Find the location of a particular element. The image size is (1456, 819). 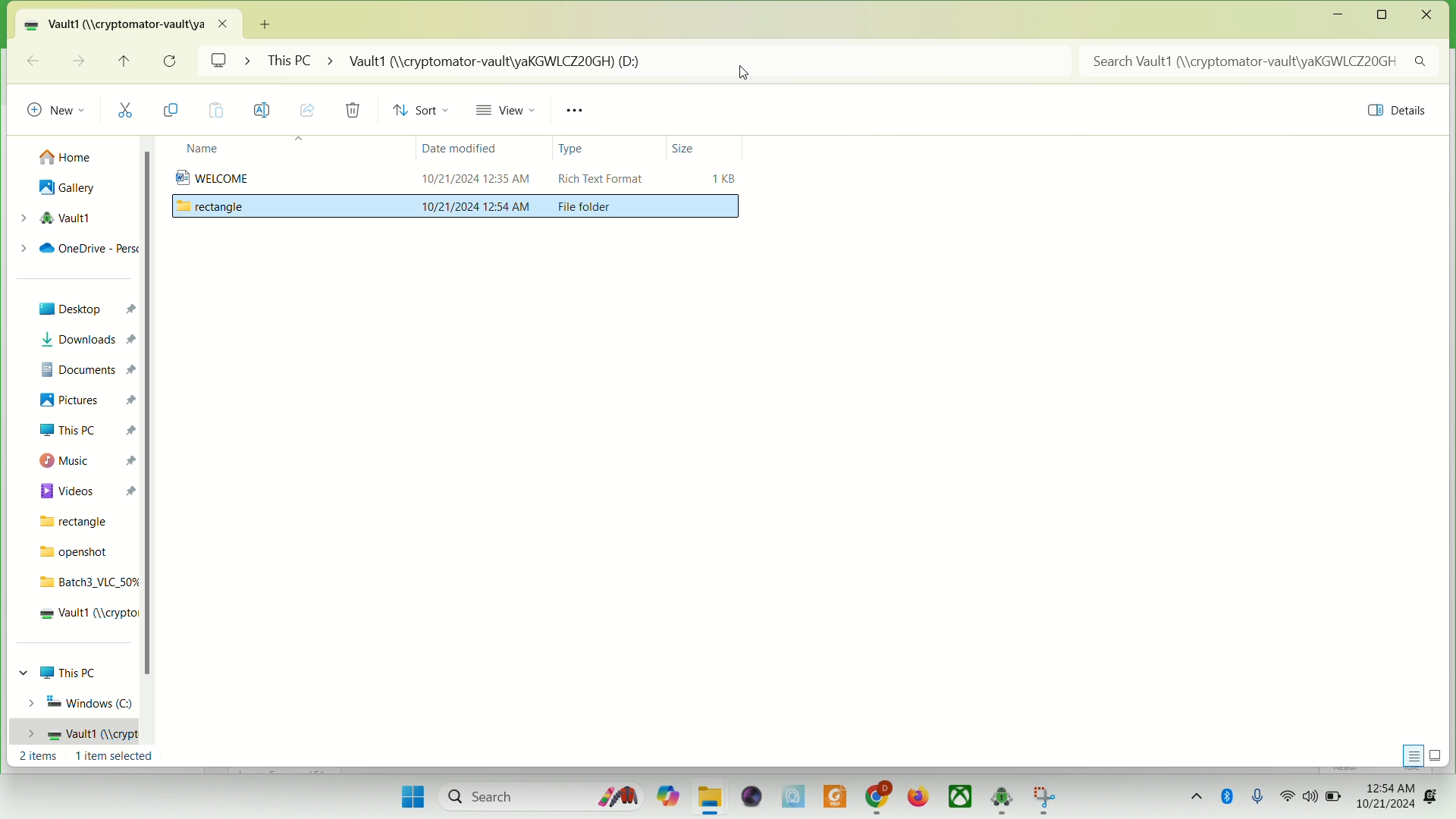

start is located at coordinates (409, 795).